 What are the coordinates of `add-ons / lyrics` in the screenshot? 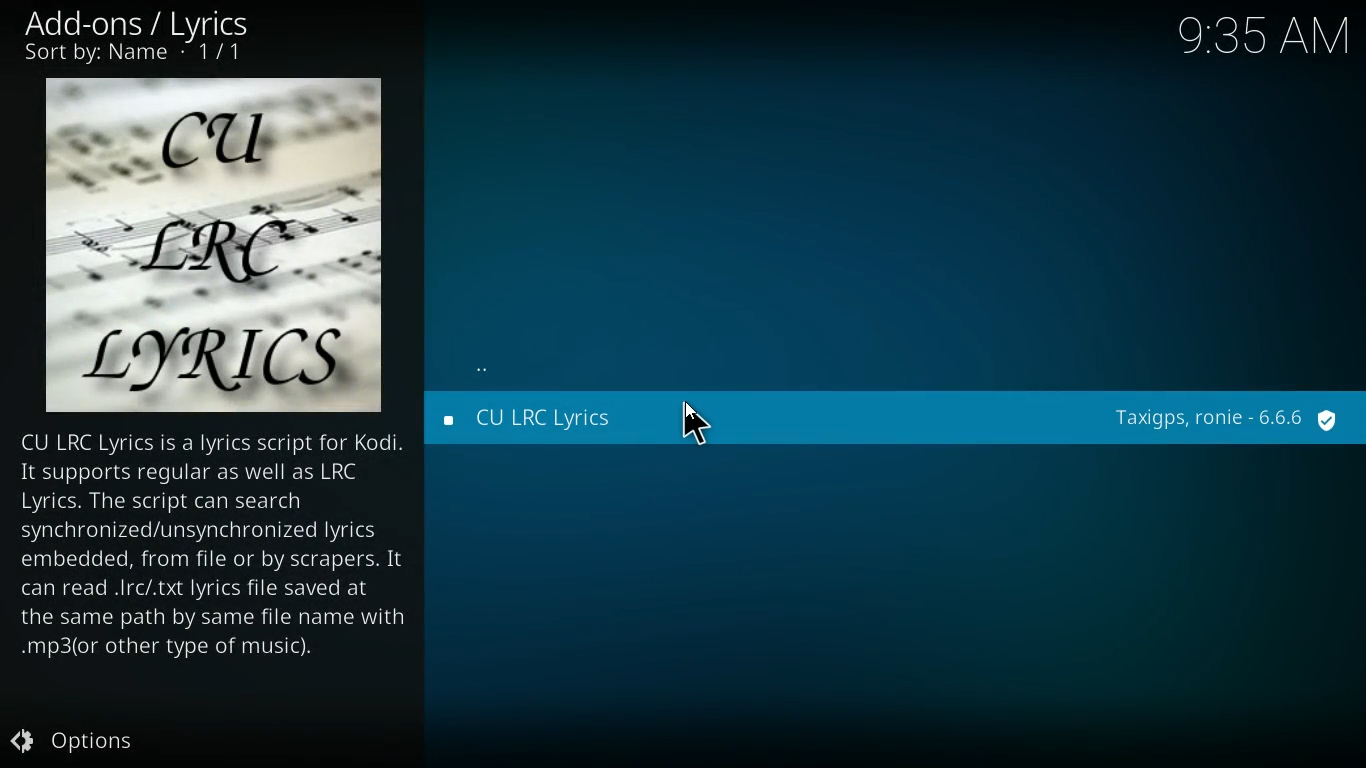 It's located at (143, 23).